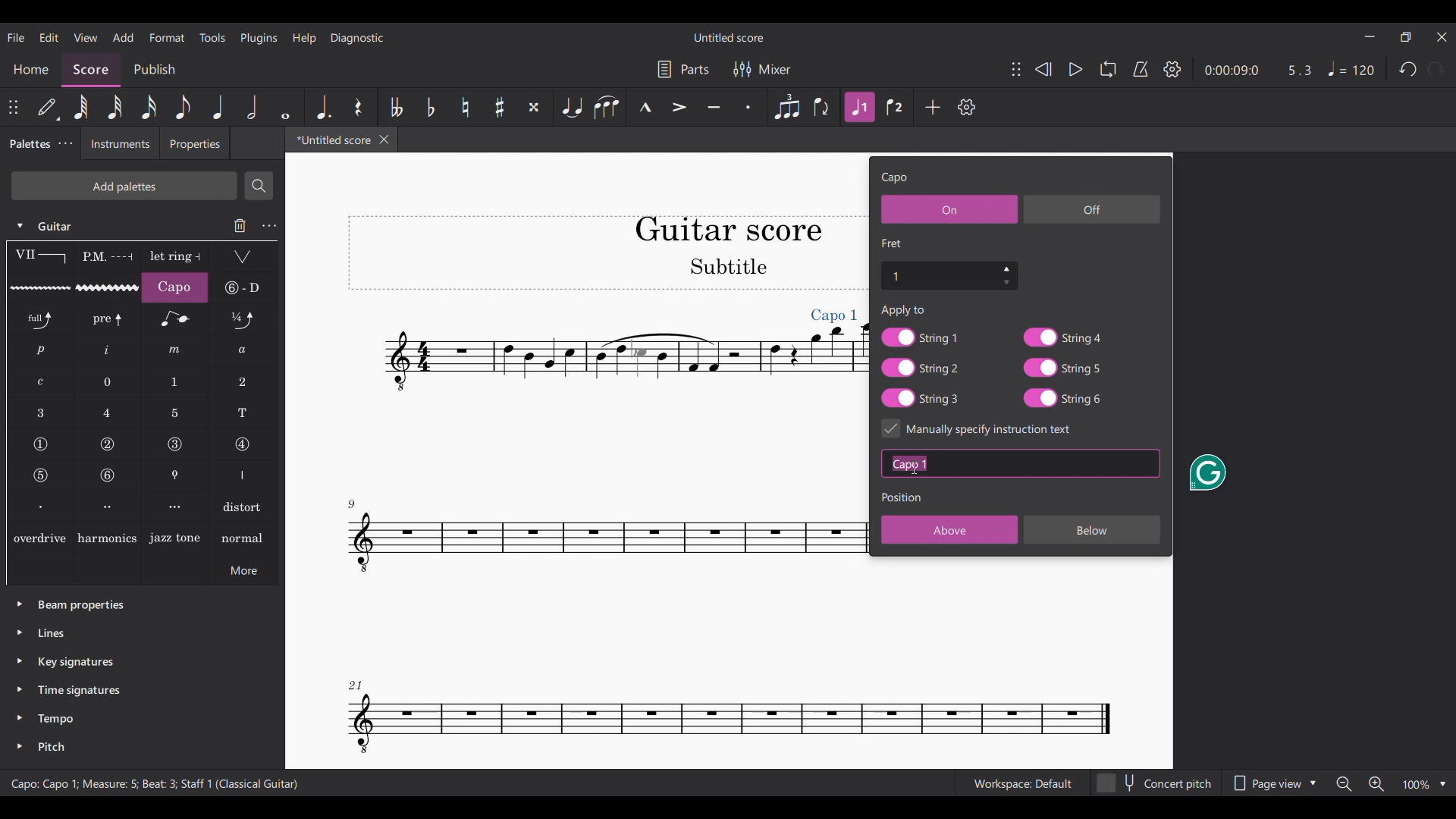 This screenshot has width=1456, height=819. What do you see at coordinates (20, 604) in the screenshot?
I see `Click to expand beam properties` at bounding box center [20, 604].